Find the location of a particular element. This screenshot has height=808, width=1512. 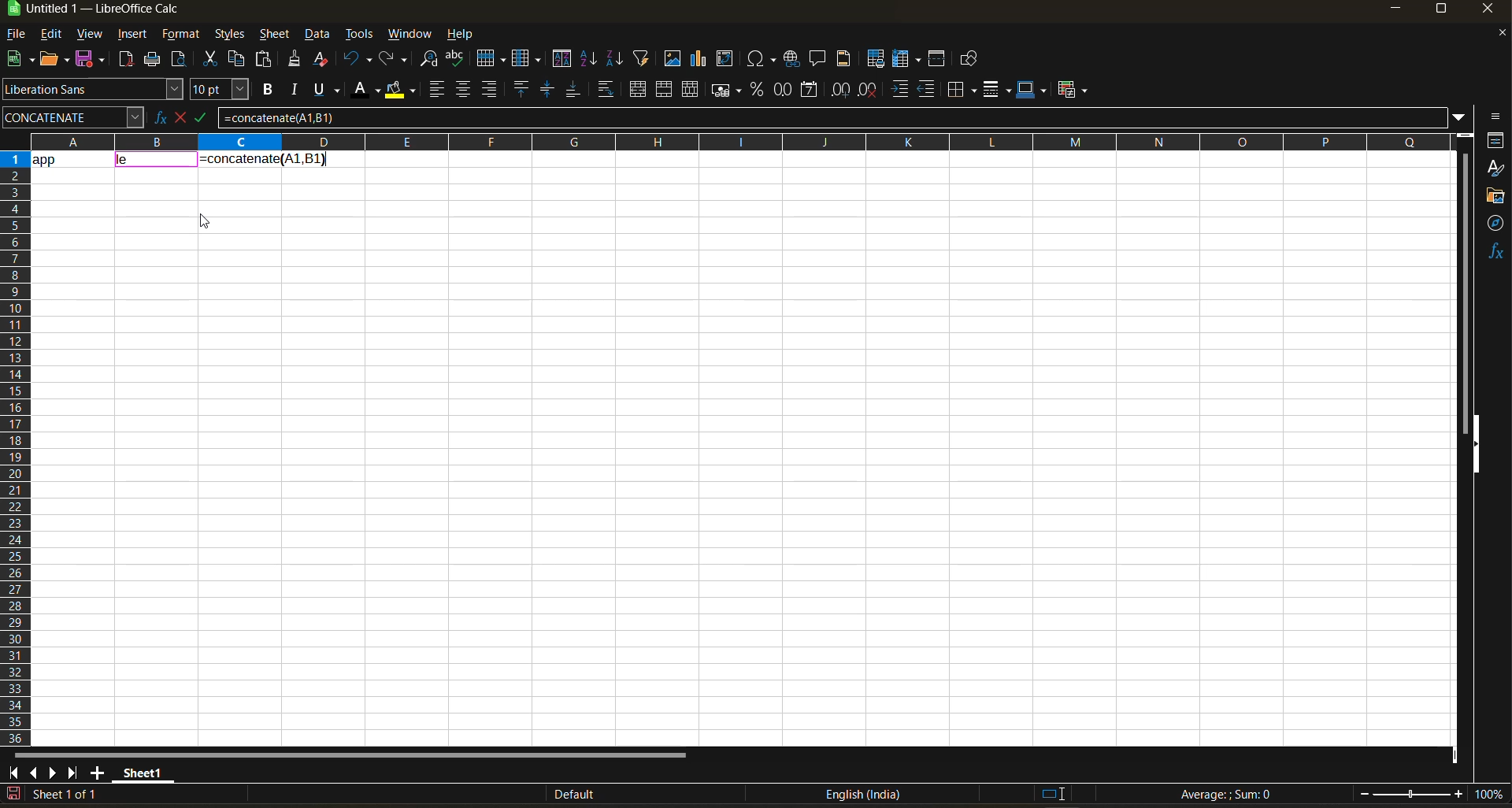

maximize is located at coordinates (1440, 12).